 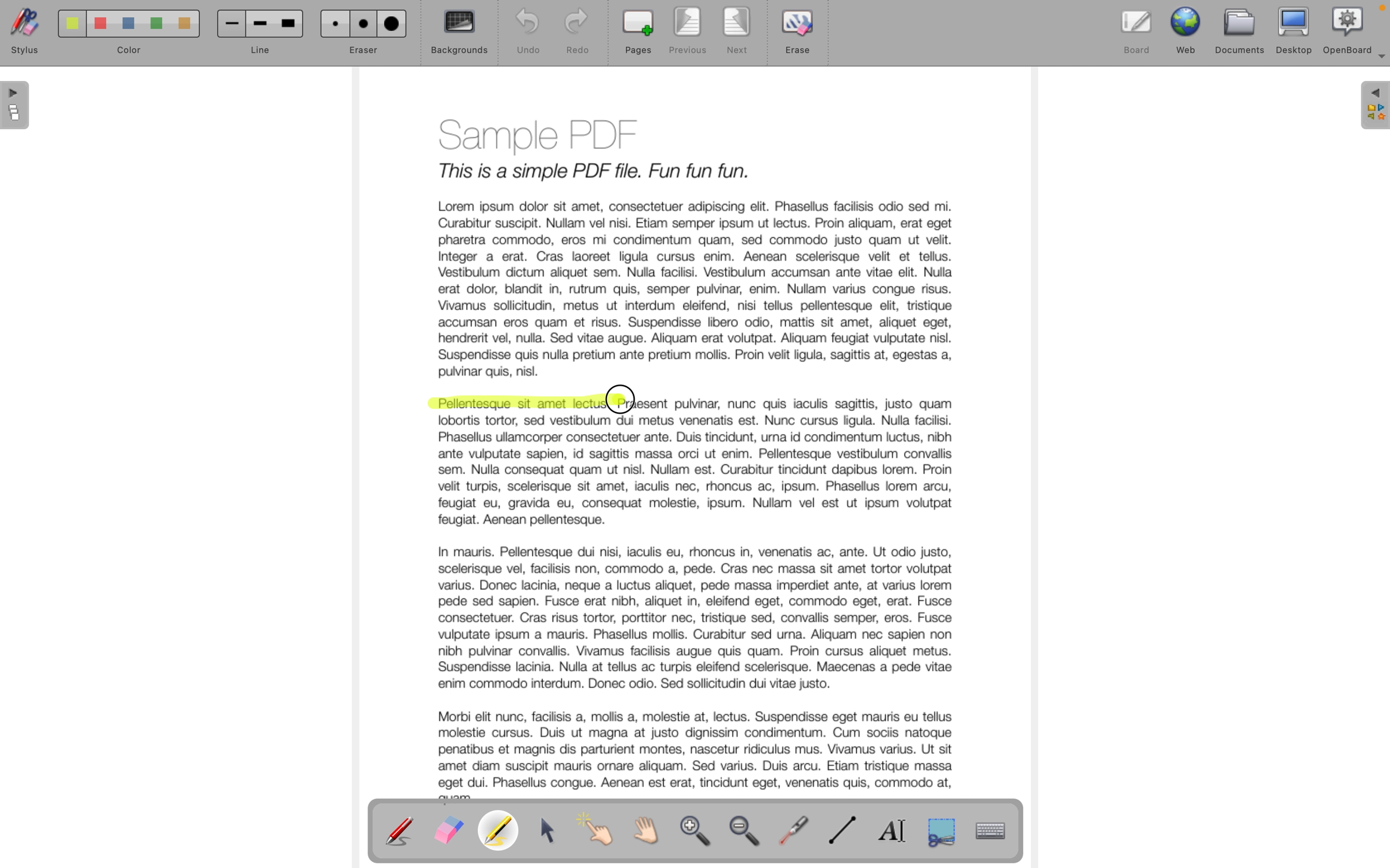 What do you see at coordinates (653, 831) in the screenshot?
I see `scroll by hand` at bounding box center [653, 831].